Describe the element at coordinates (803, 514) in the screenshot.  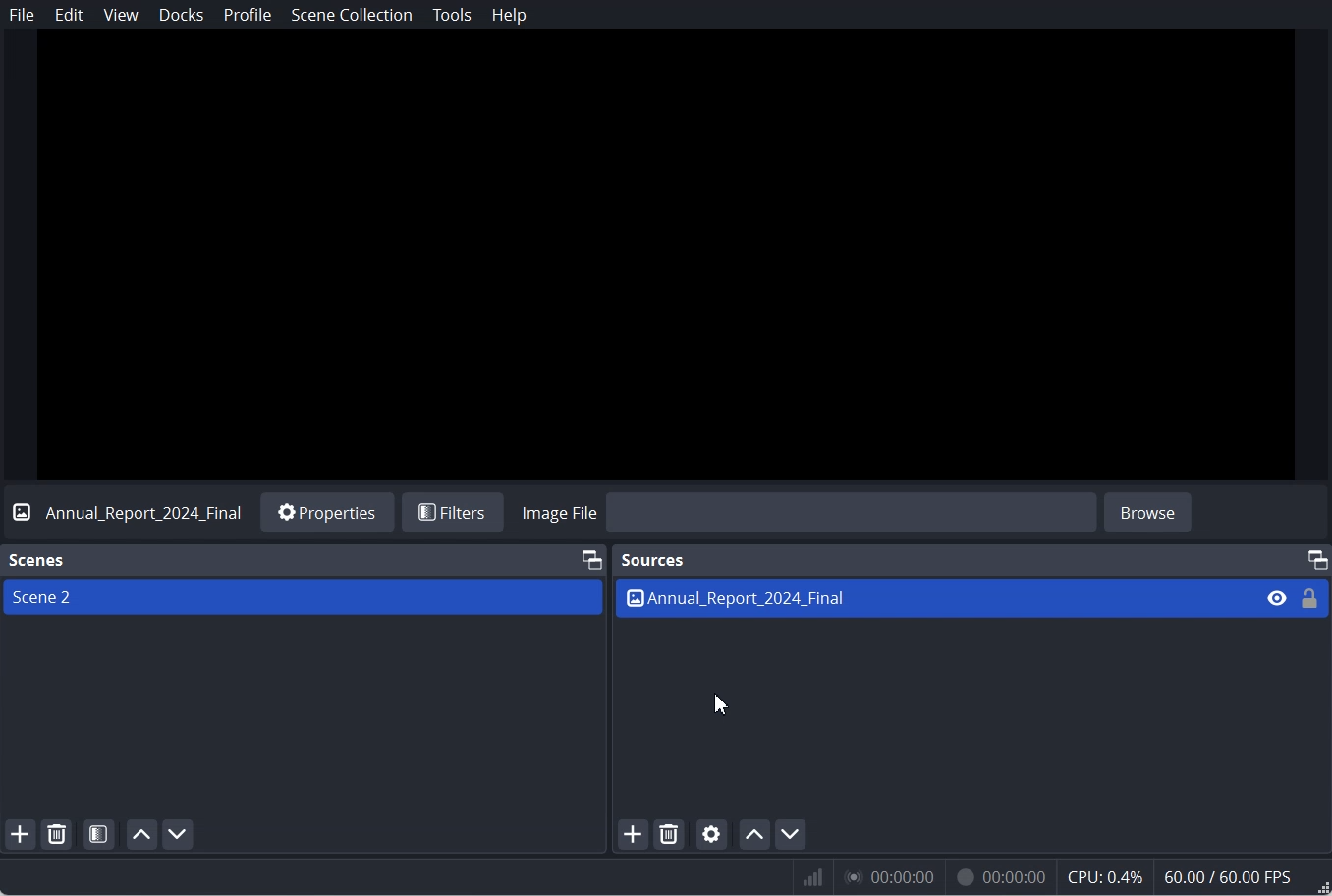
I see `Import Image file` at that location.